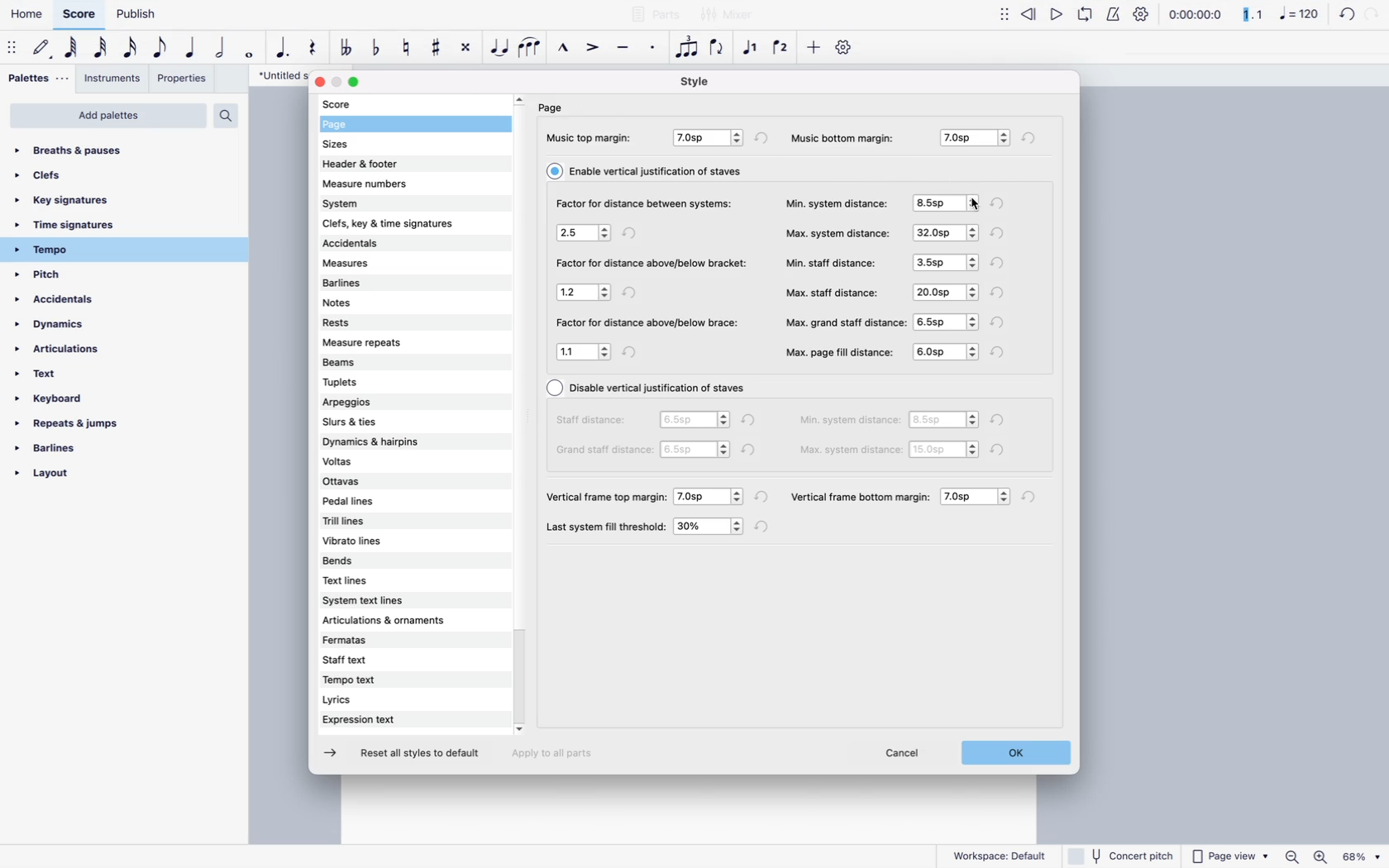 The width and height of the screenshot is (1389, 868). Describe the element at coordinates (519, 415) in the screenshot. I see `scroll line` at that location.